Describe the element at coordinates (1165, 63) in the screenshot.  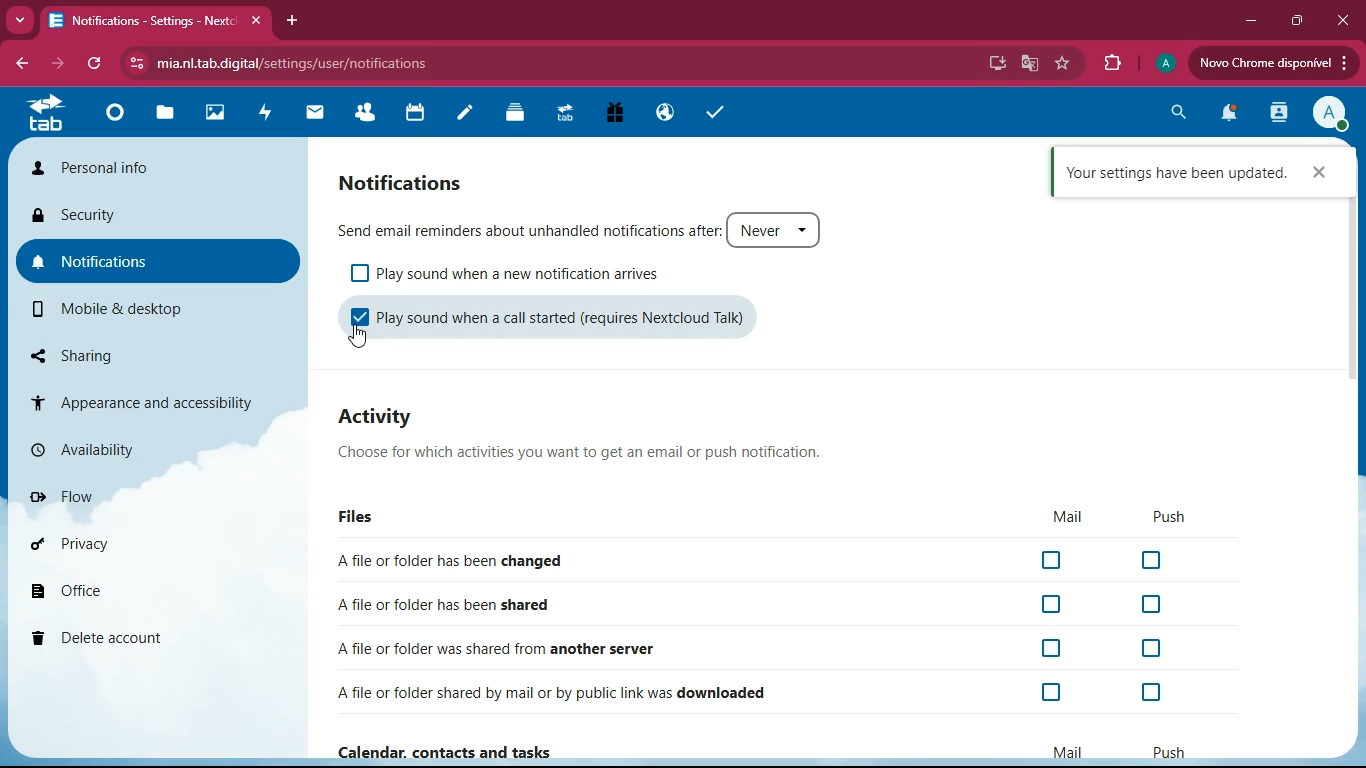
I see `profile` at that location.